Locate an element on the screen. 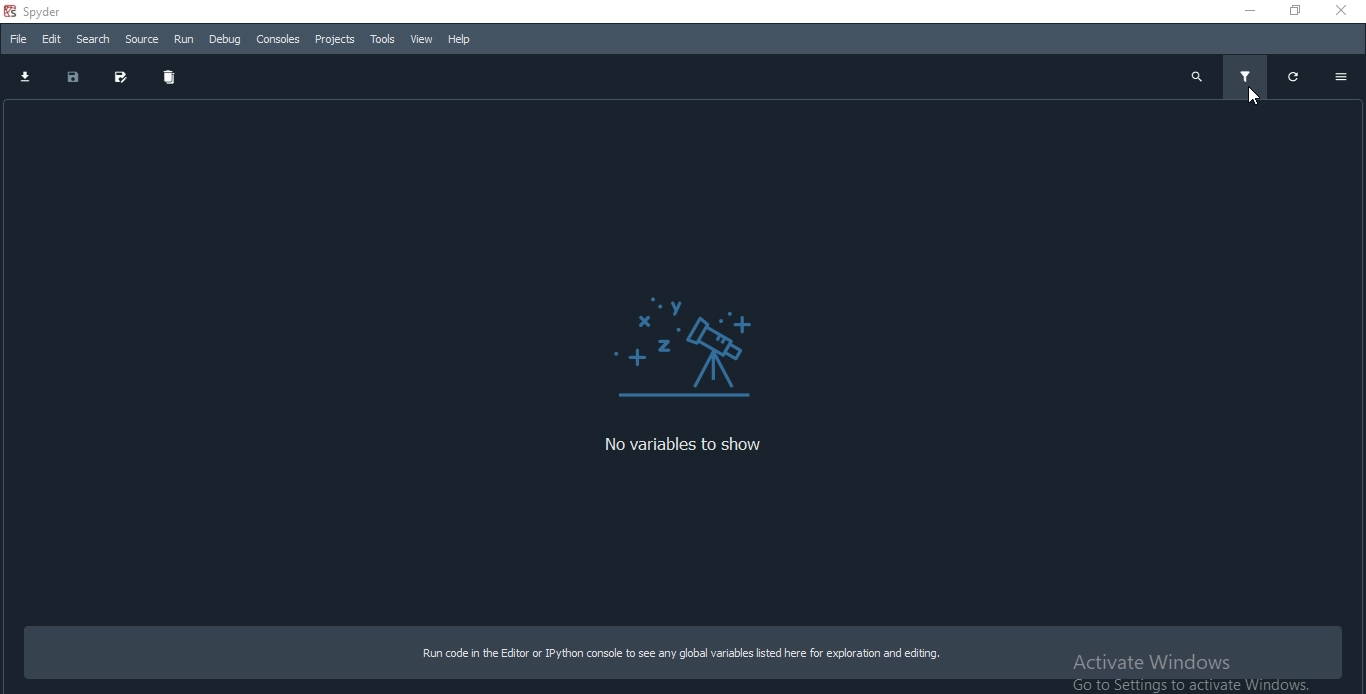 Image resolution: width=1366 pixels, height=694 pixels. Edit is located at coordinates (52, 38).